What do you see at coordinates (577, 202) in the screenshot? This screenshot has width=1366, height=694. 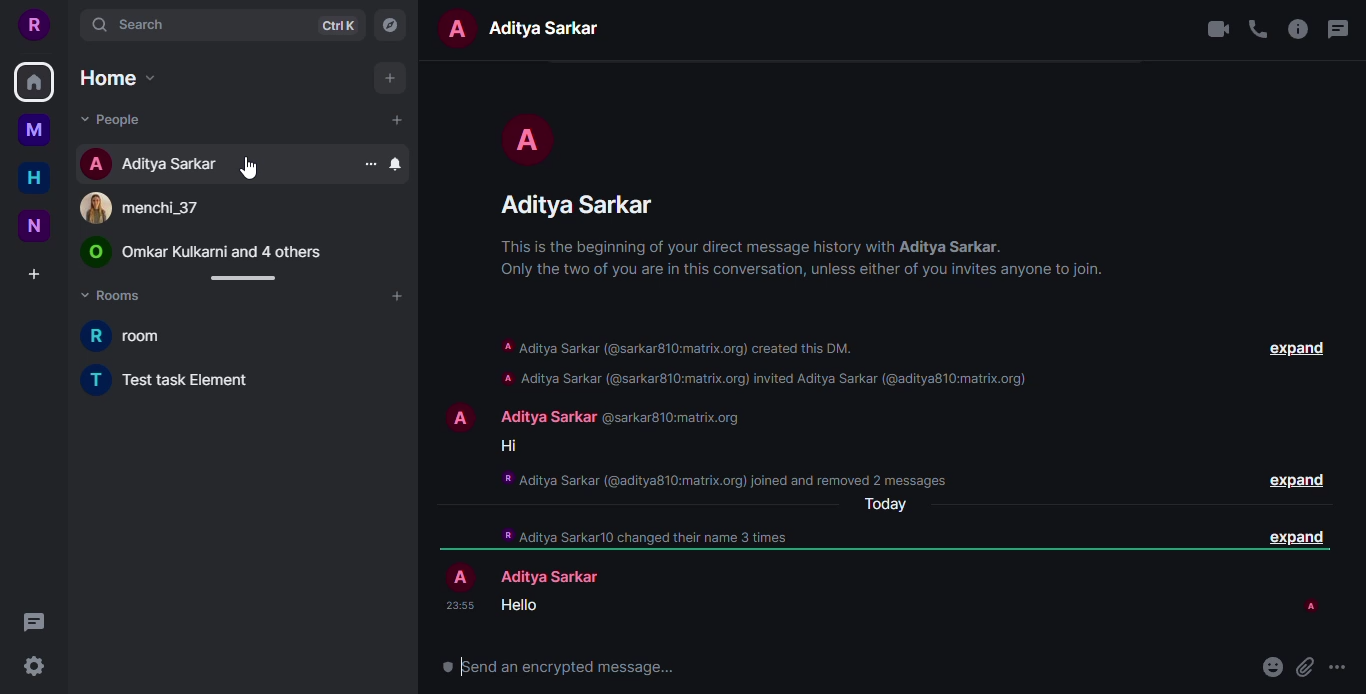 I see `aditya sarkar` at bounding box center [577, 202].